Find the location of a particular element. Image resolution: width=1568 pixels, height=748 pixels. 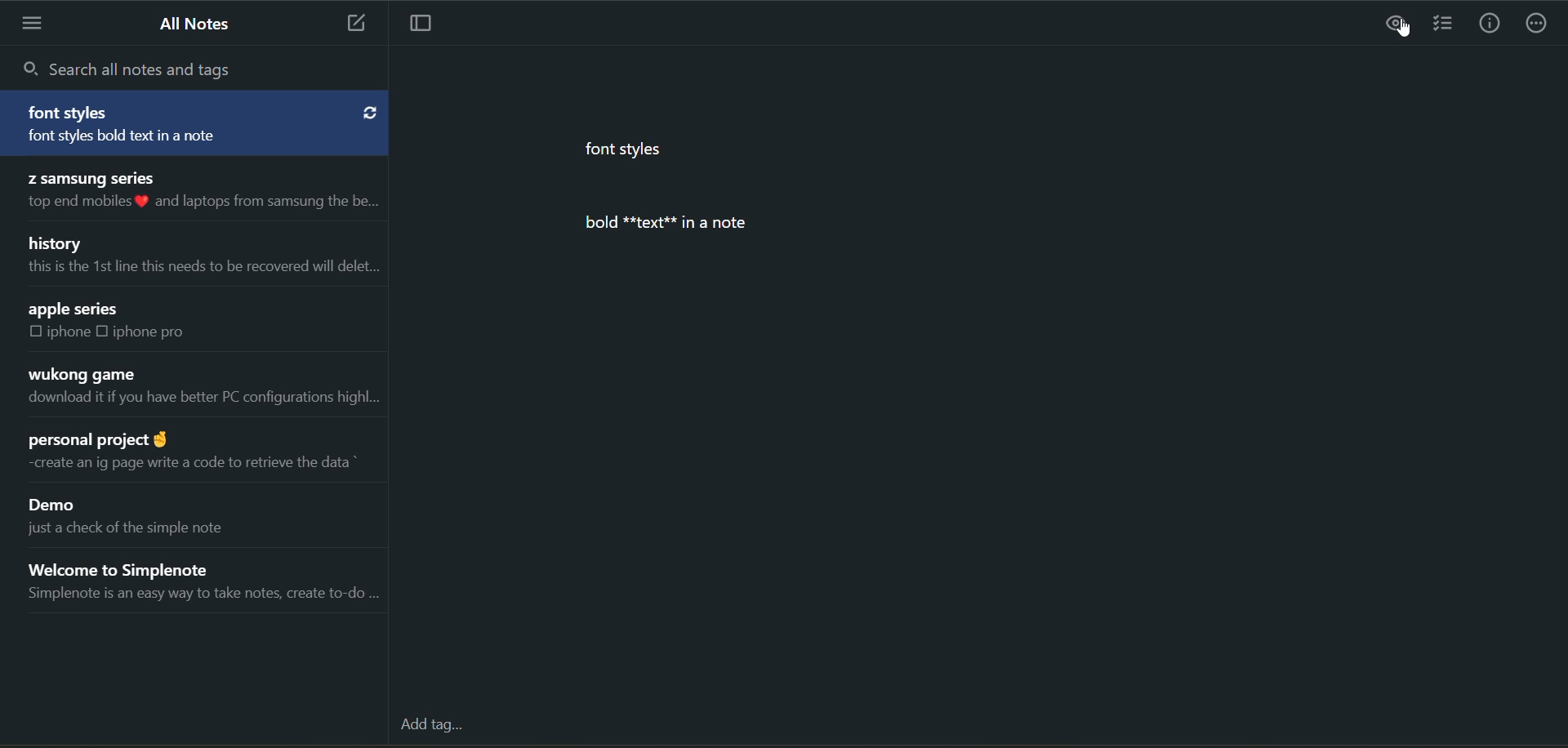

search is located at coordinates (136, 68).